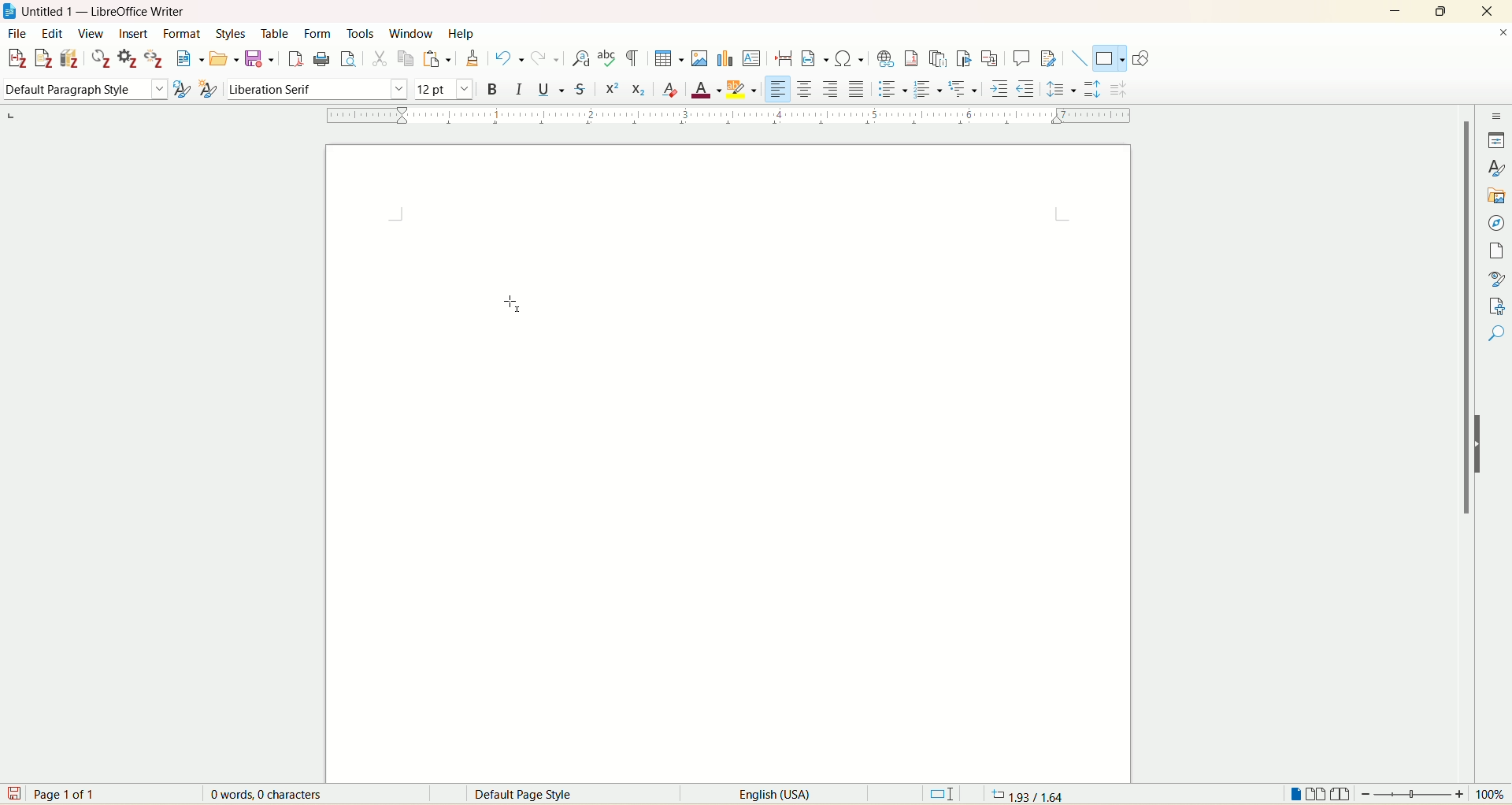  What do you see at coordinates (16, 35) in the screenshot?
I see `file` at bounding box center [16, 35].